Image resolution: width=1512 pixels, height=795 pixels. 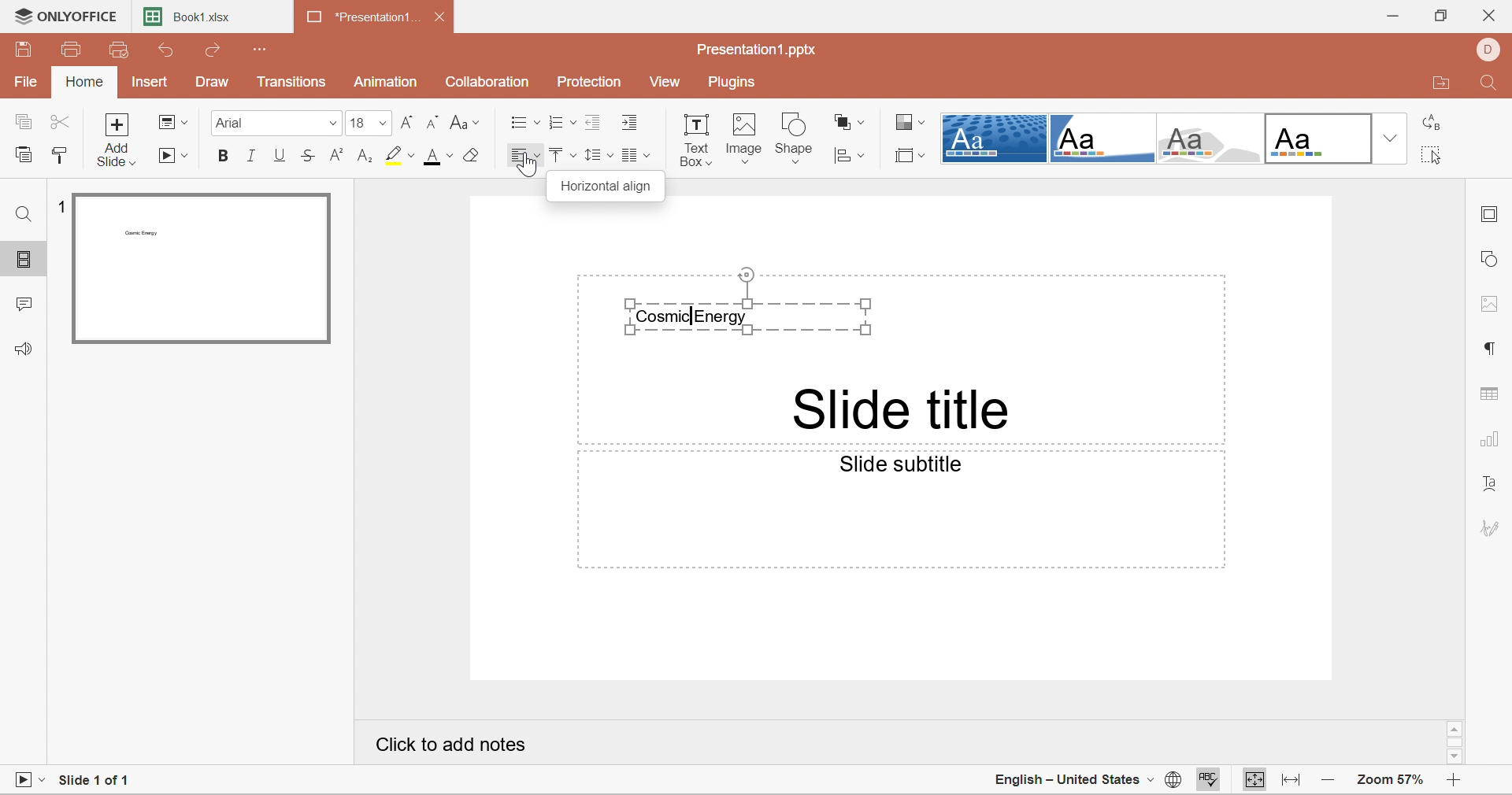 What do you see at coordinates (473, 156) in the screenshot?
I see `Clear` at bounding box center [473, 156].